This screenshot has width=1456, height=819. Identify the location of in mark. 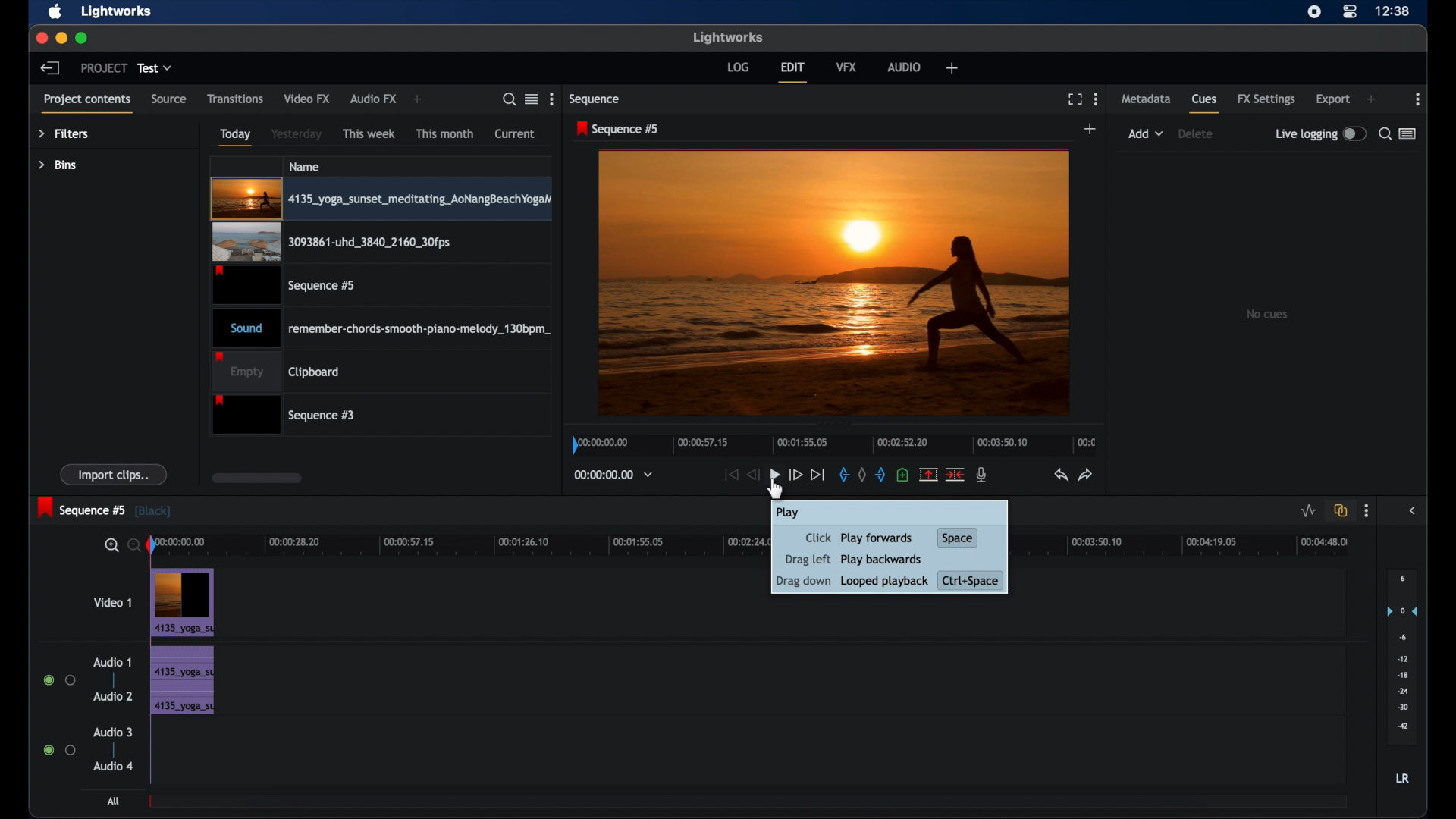
(843, 475).